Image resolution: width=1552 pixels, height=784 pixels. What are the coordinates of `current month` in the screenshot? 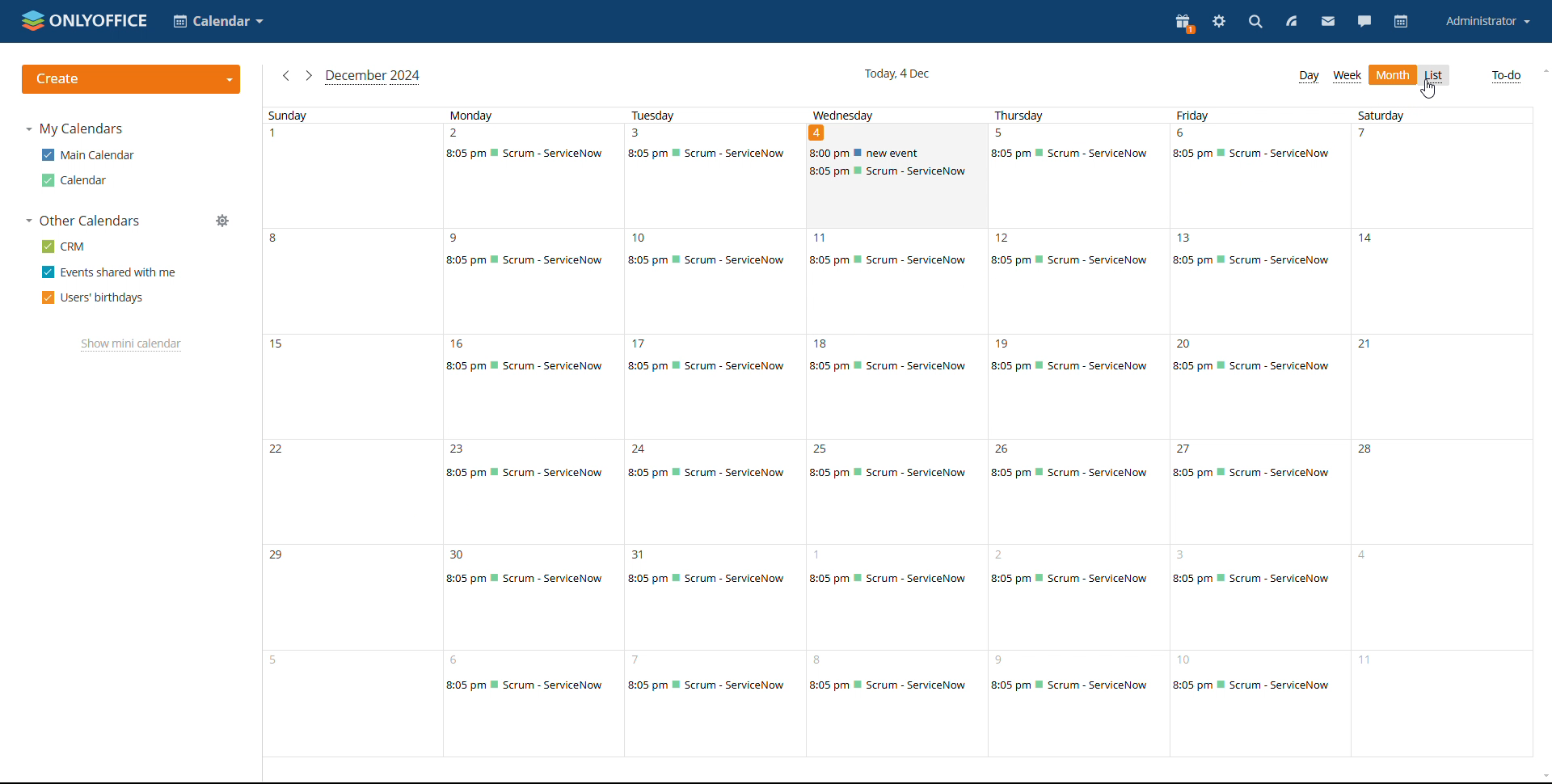 It's located at (373, 78).